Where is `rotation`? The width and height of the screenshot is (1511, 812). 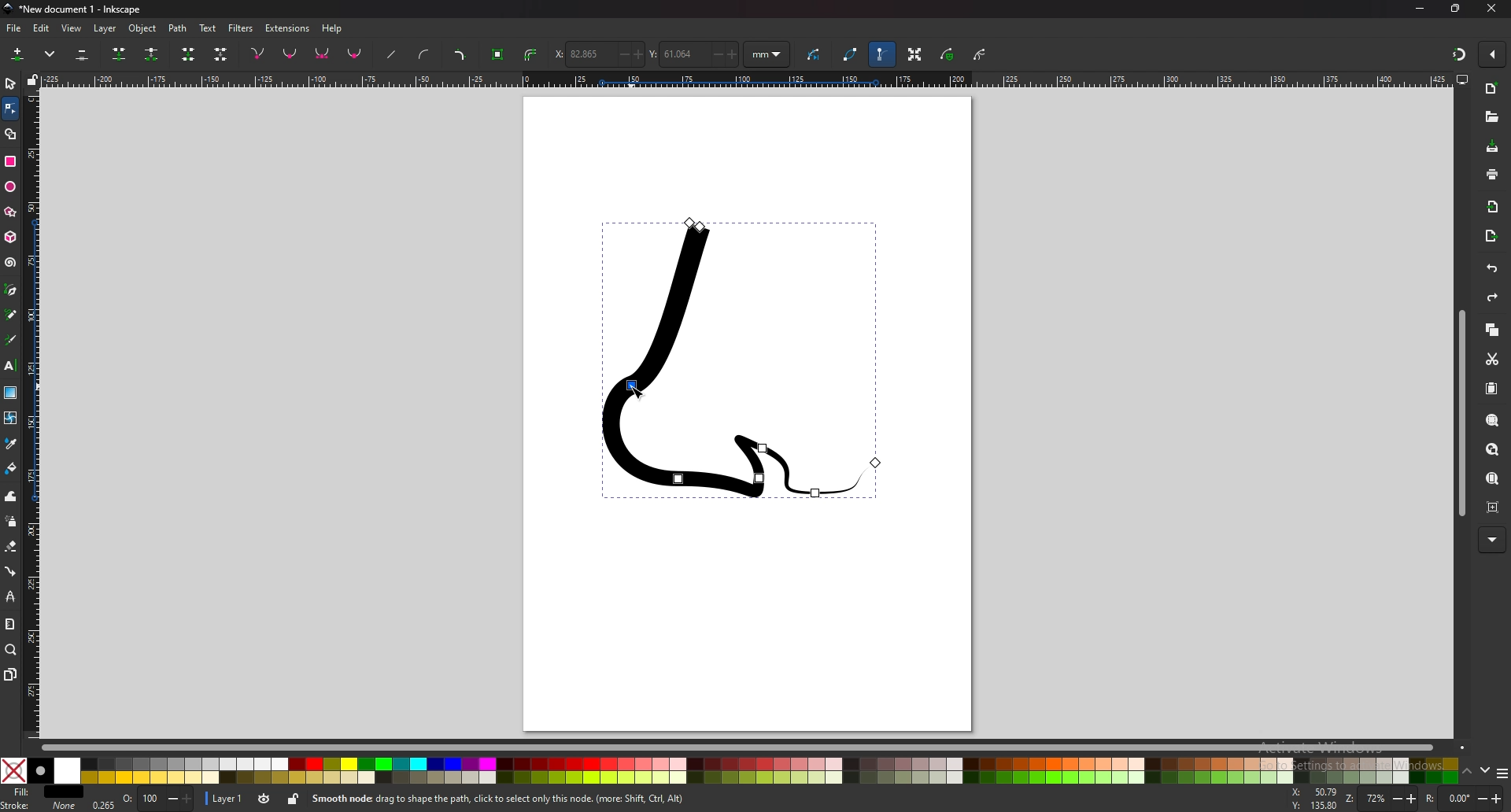 rotation is located at coordinates (1465, 798).